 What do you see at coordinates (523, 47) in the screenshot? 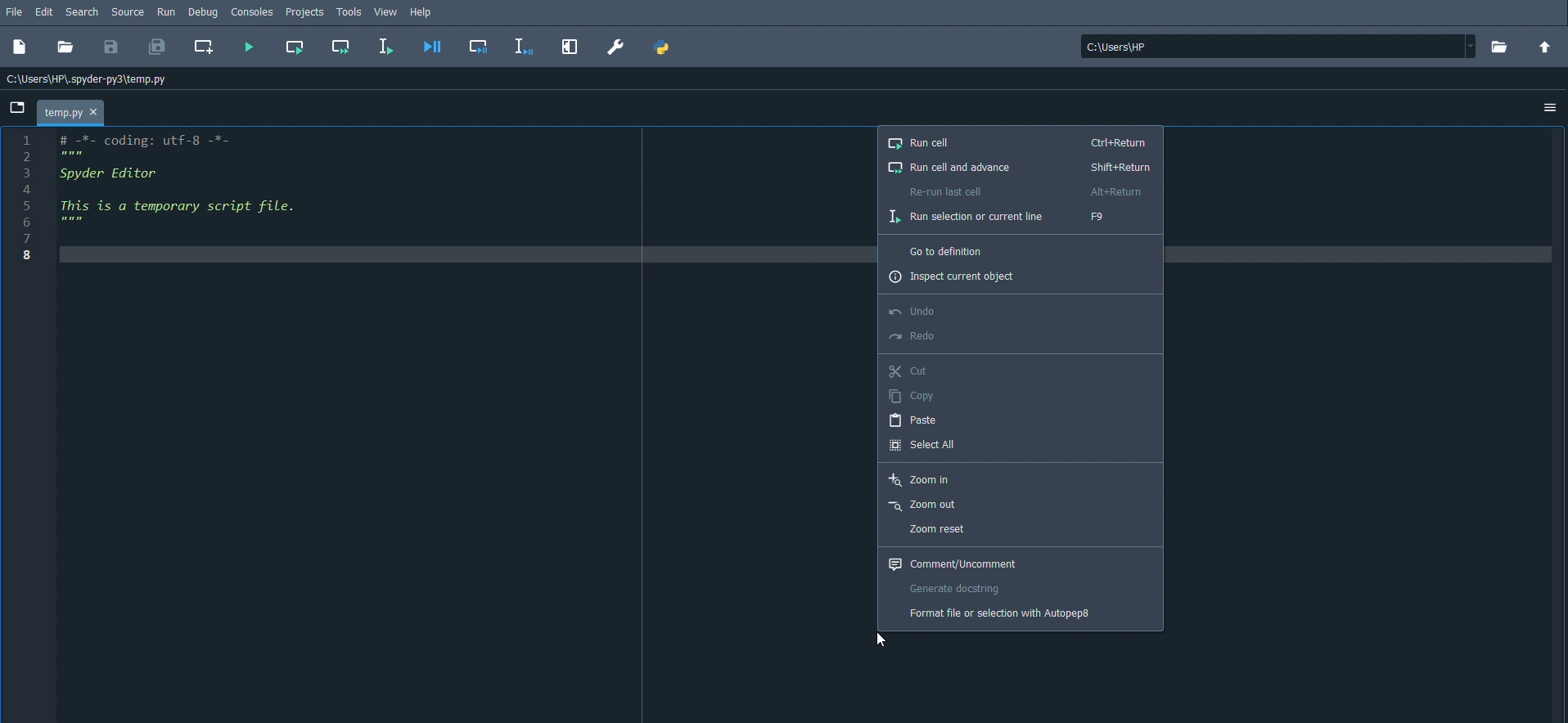
I see `Debug selection or current line` at bounding box center [523, 47].